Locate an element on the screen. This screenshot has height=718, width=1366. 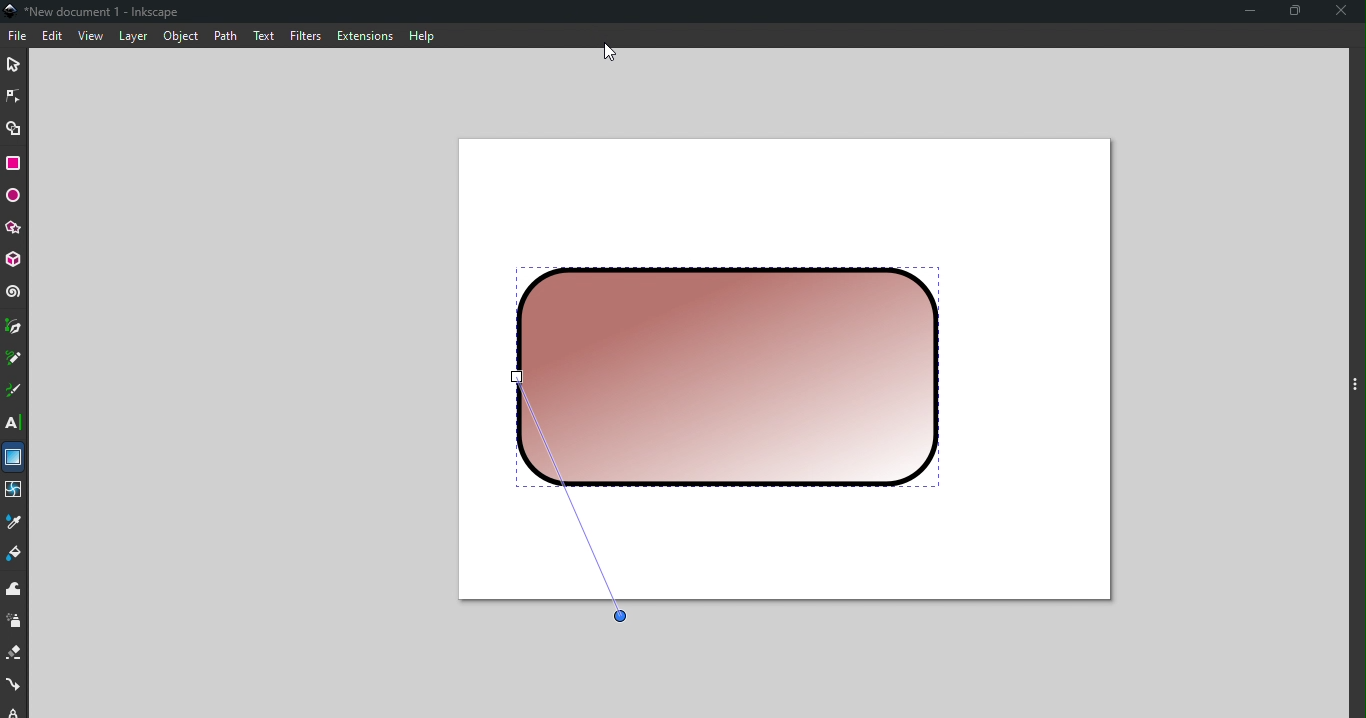
Pencil tool is located at coordinates (14, 360).